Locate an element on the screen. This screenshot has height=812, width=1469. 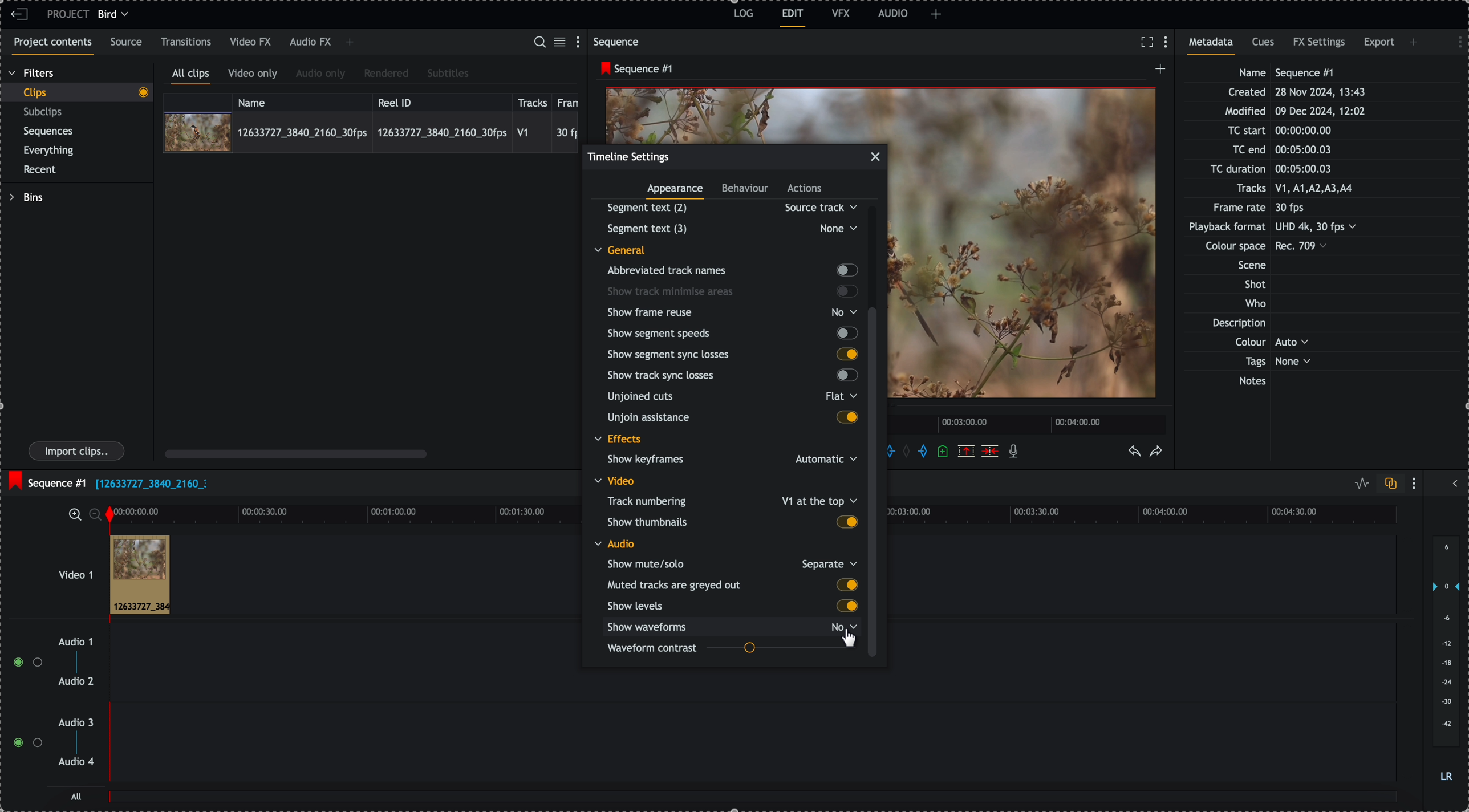
project bird is located at coordinates (91, 14).